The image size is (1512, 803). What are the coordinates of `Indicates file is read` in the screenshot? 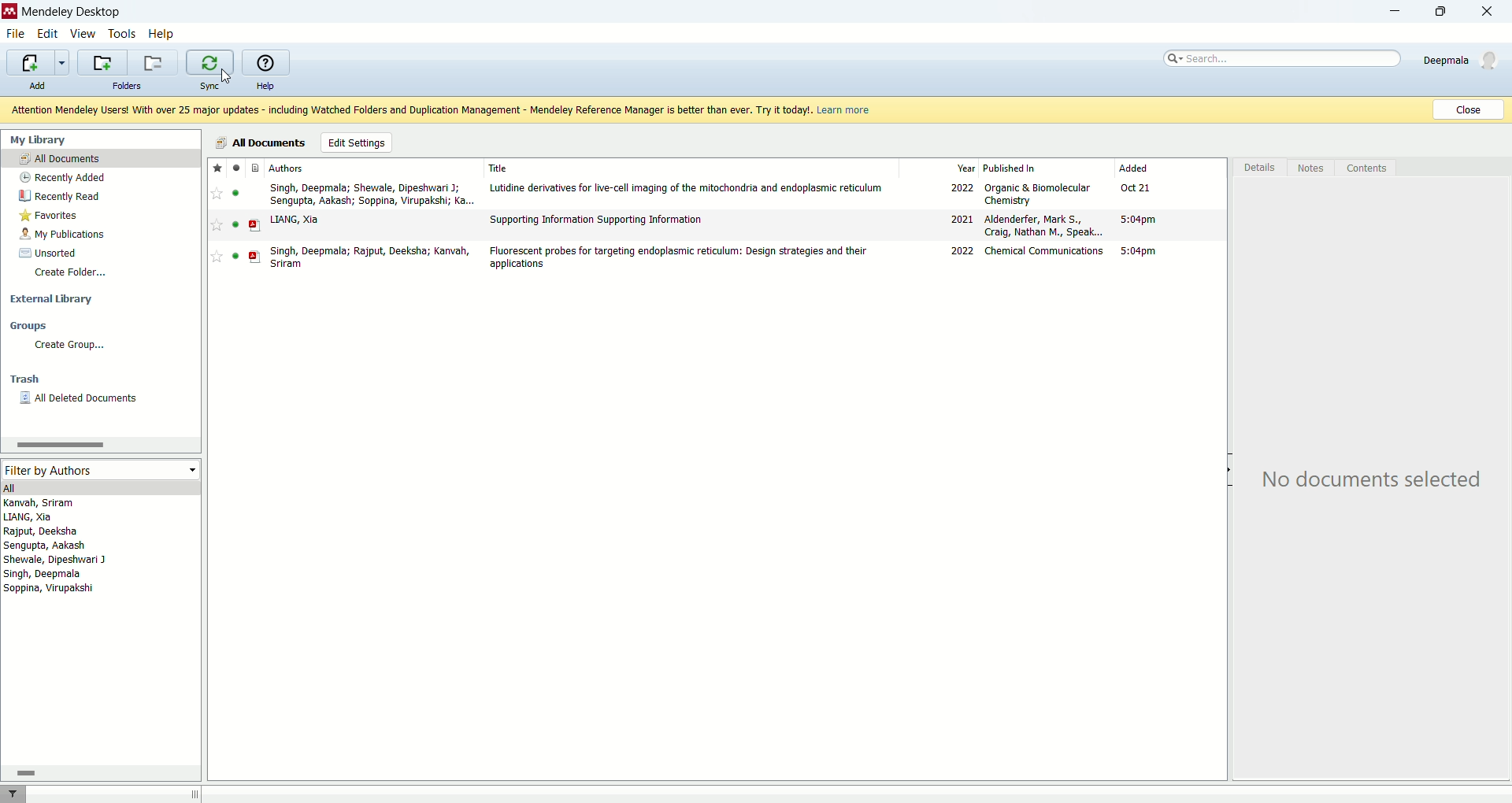 It's located at (236, 257).